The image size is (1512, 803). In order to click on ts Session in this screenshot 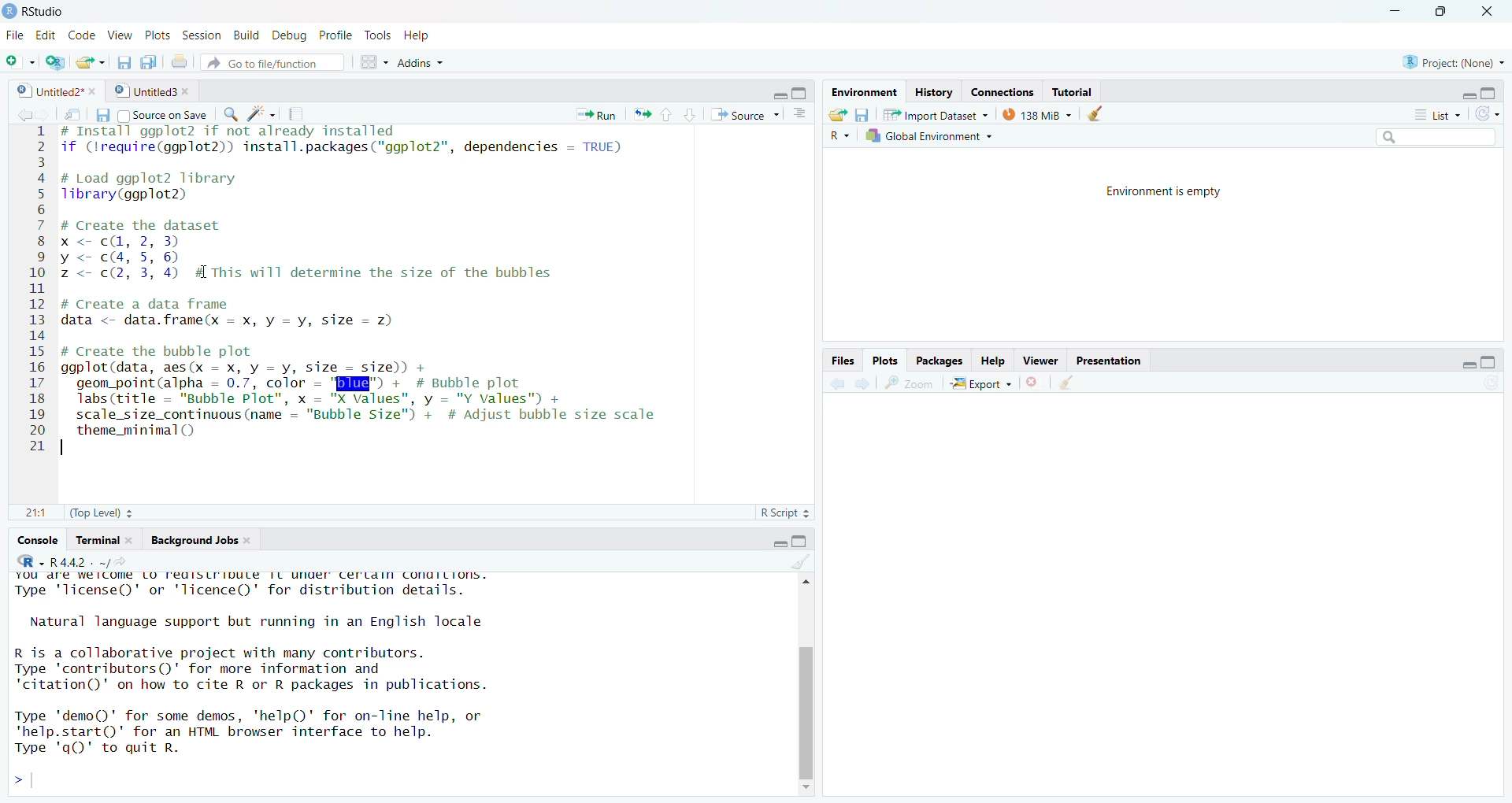, I will do `click(200, 35)`.